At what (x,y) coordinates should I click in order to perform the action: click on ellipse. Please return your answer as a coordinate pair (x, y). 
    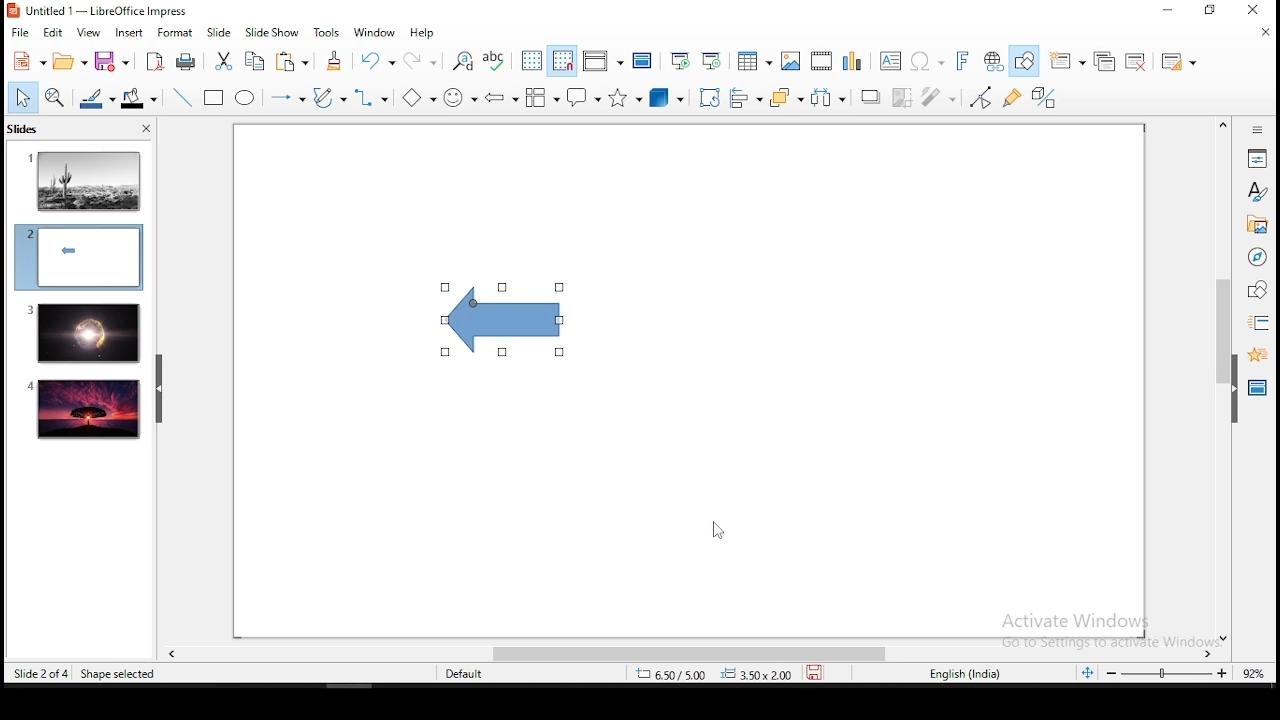
    Looking at the image, I should click on (244, 98).